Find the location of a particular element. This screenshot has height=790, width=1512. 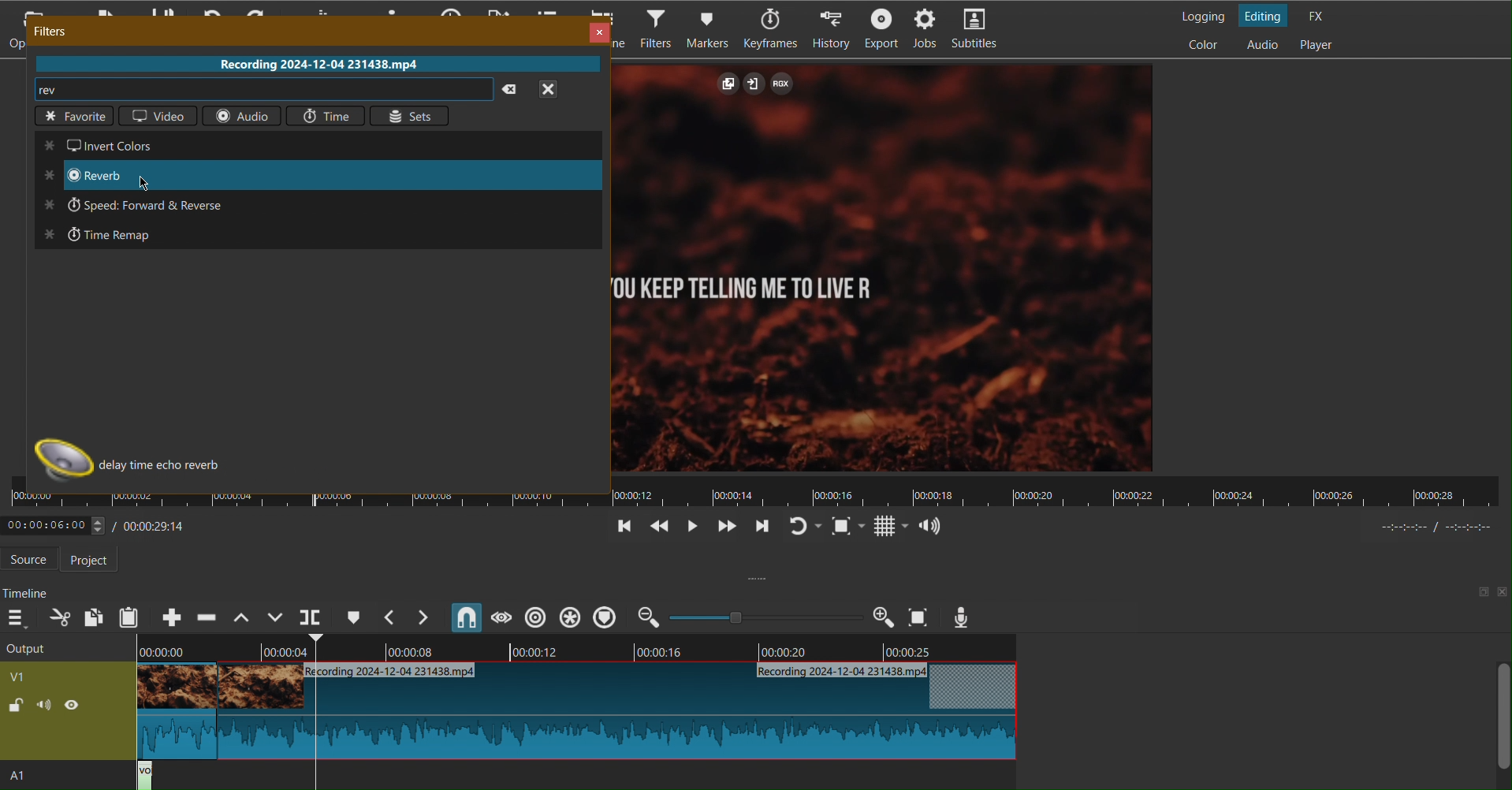

Sets is located at coordinates (410, 114).